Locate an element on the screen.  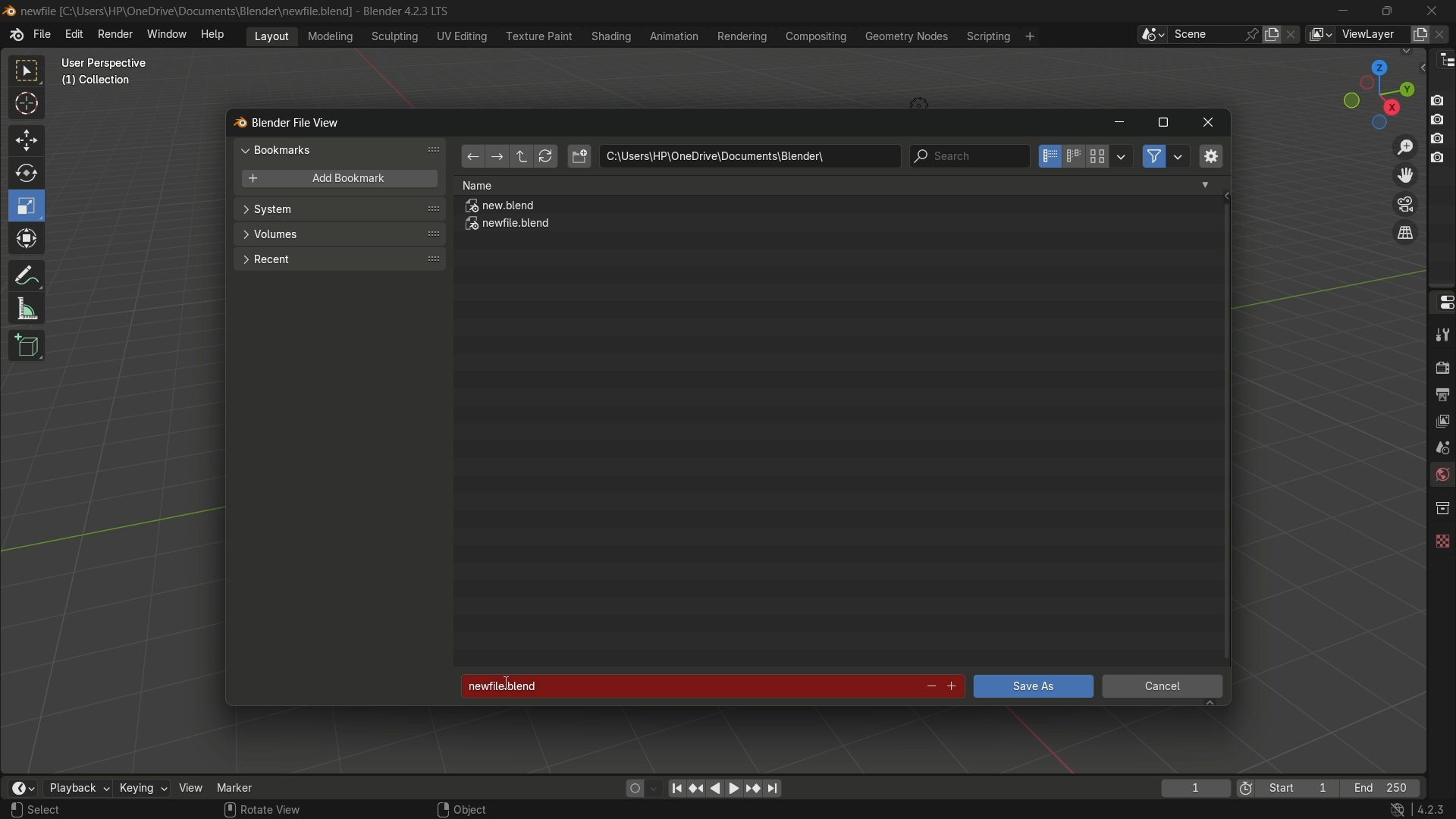
blender file view is located at coordinates (298, 121).